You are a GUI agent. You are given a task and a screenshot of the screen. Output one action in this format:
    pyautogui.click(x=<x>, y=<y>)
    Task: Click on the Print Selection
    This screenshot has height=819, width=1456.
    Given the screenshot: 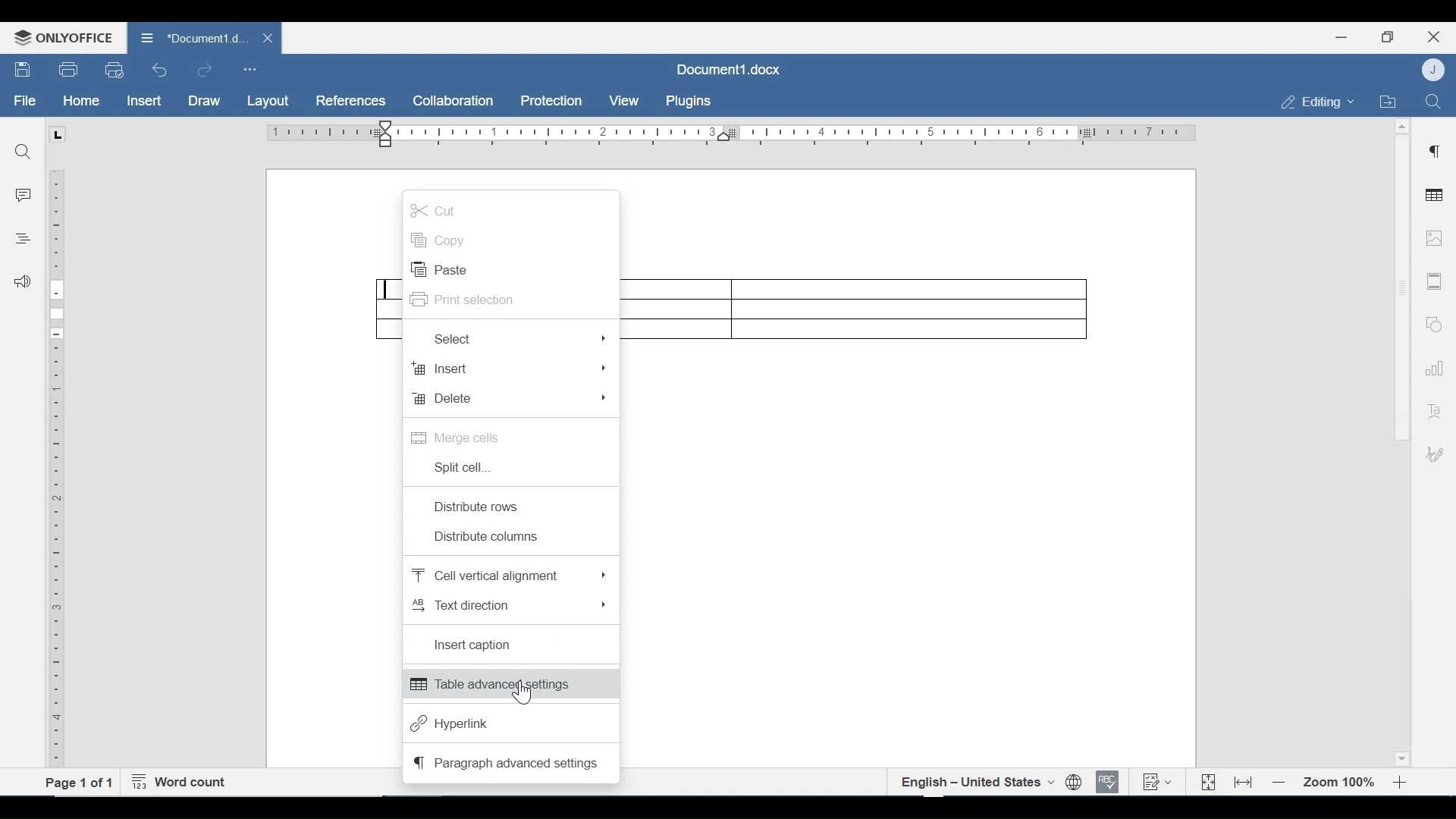 What is the action you would take?
    pyautogui.click(x=466, y=300)
    